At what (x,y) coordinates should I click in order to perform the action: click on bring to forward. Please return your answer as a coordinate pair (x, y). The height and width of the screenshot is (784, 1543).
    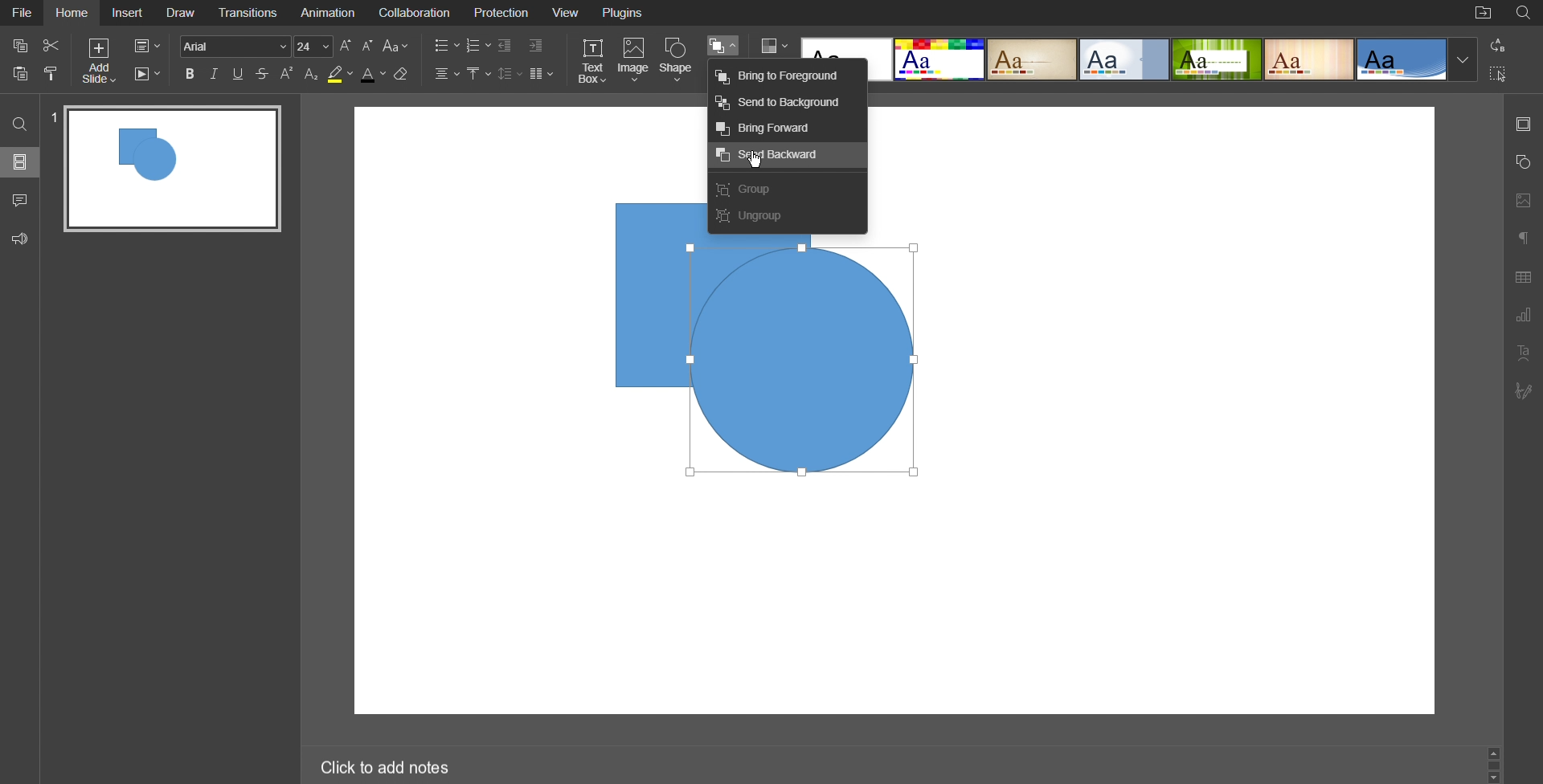
    Looking at the image, I should click on (792, 75).